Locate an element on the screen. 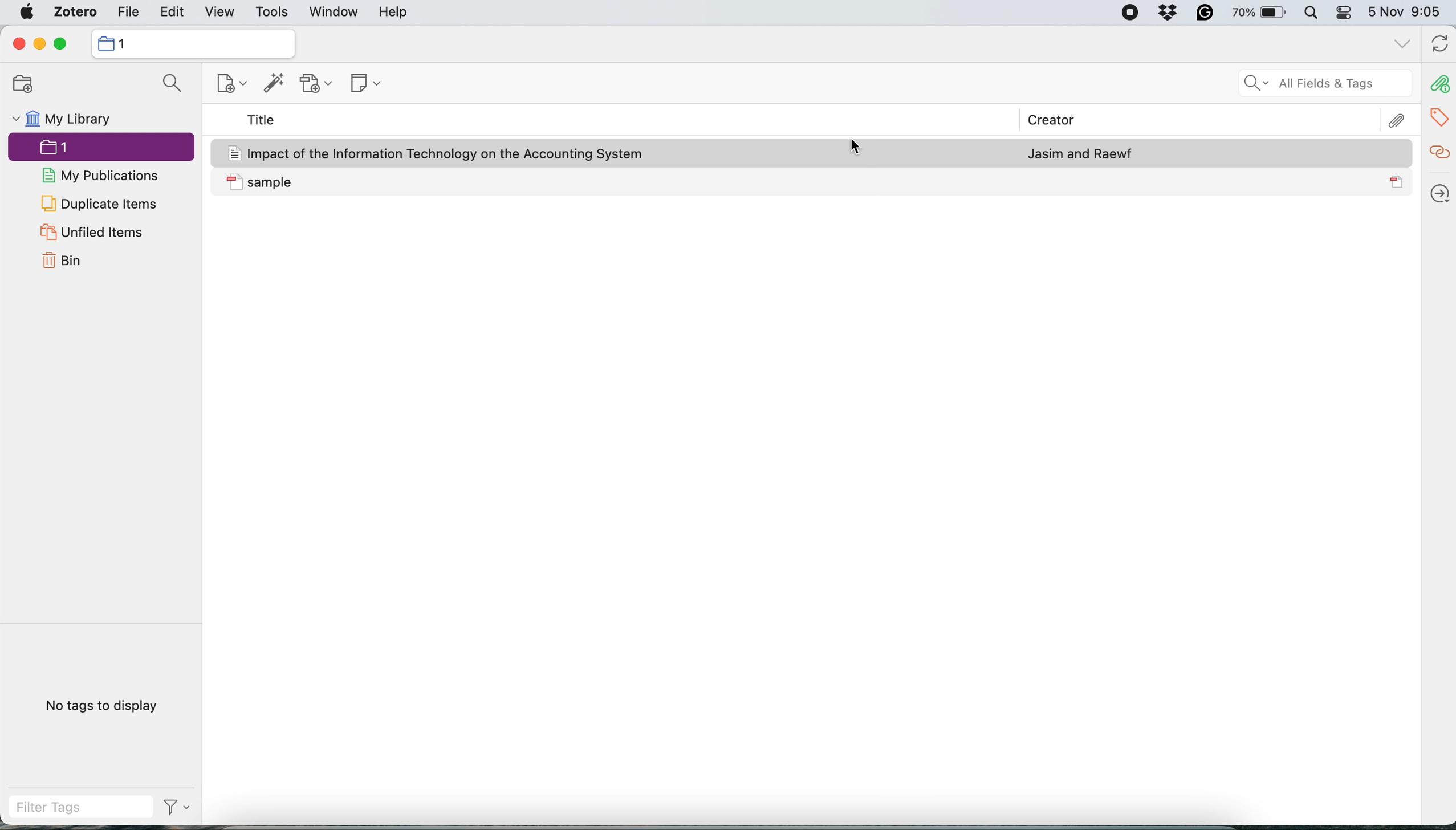 The width and height of the screenshot is (1456, 830). list all tabs is located at coordinates (1400, 44).